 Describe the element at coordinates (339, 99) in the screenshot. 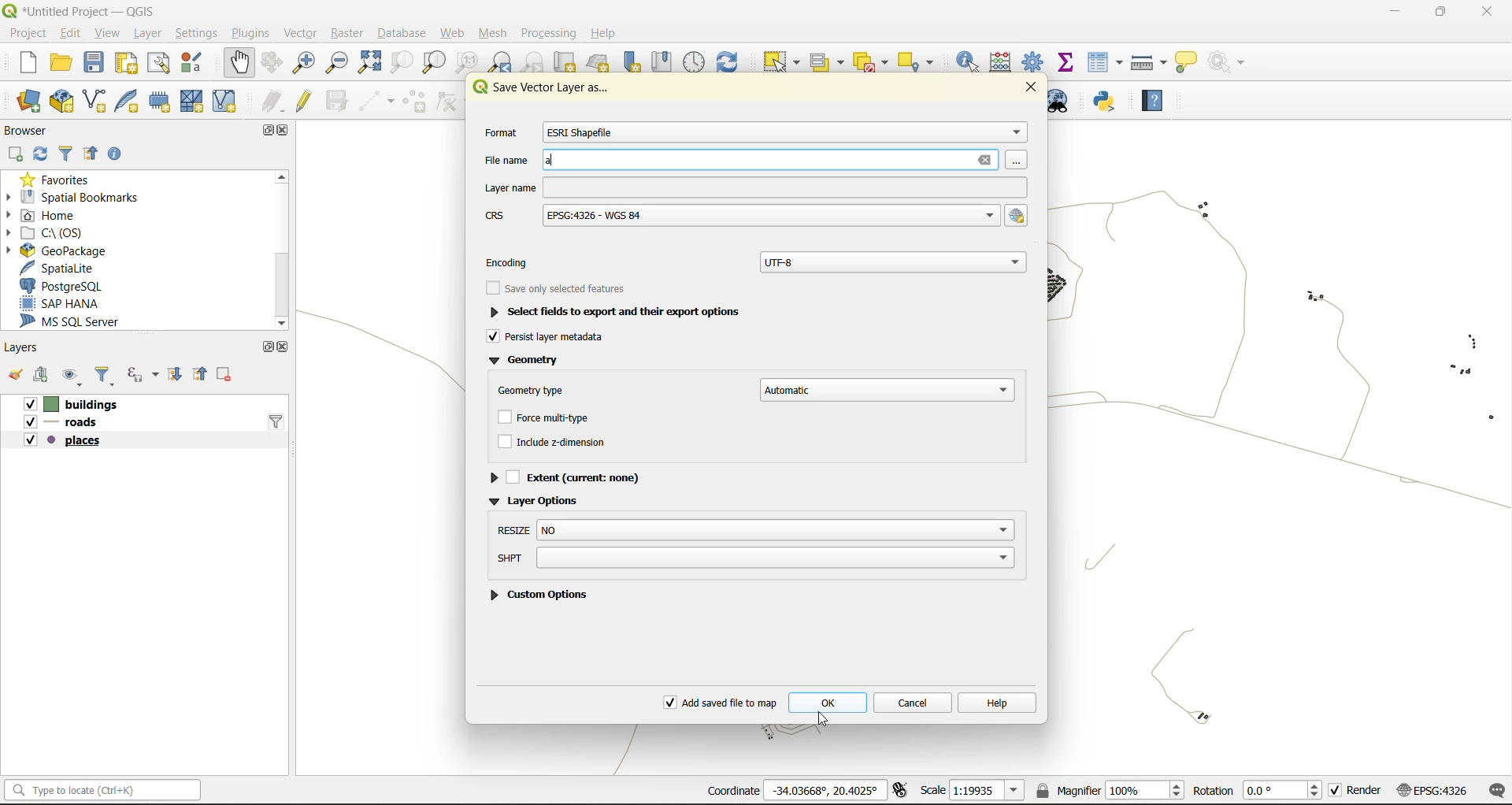

I see `save edits` at that location.